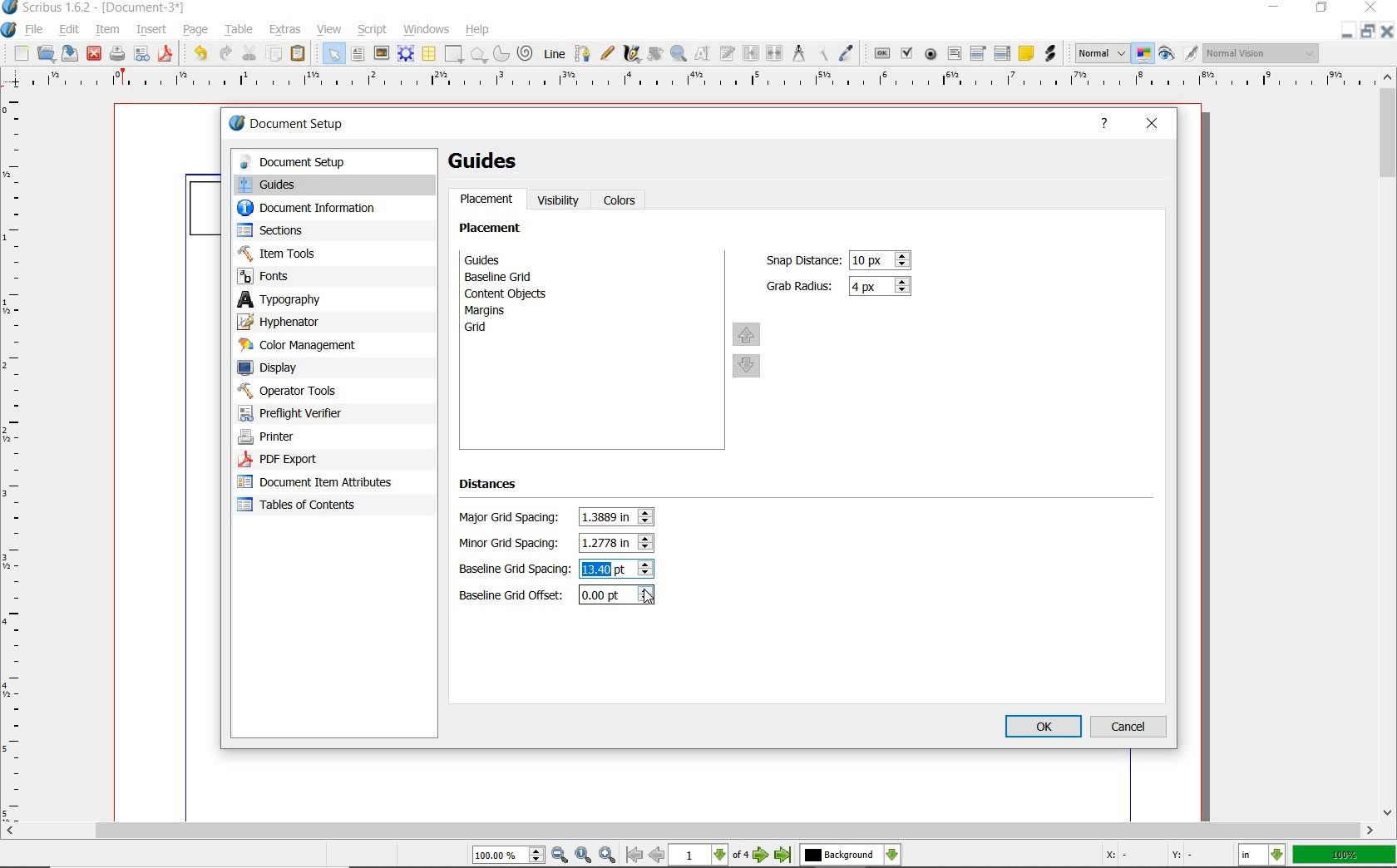  What do you see at coordinates (93, 55) in the screenshot?
I see `close` at bounding box center [93, 55].